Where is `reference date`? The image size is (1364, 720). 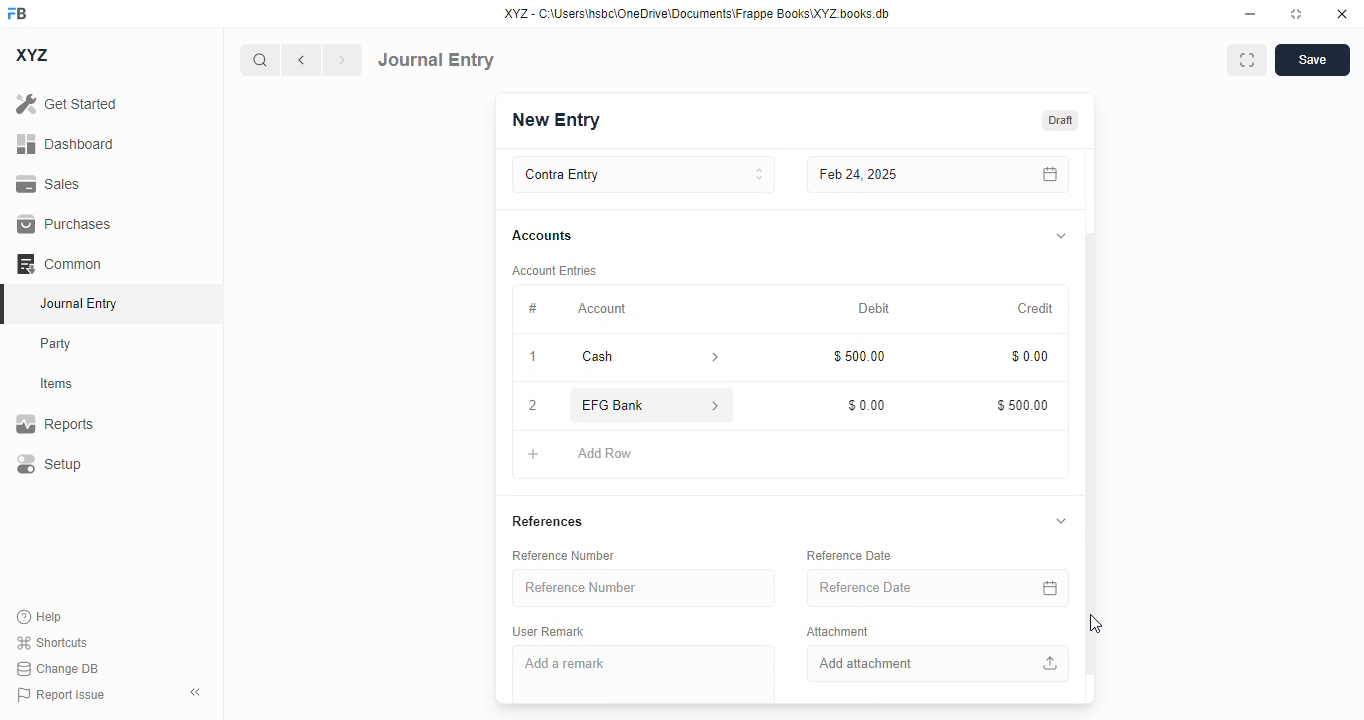 reference date is located at coordinates (897, 586).